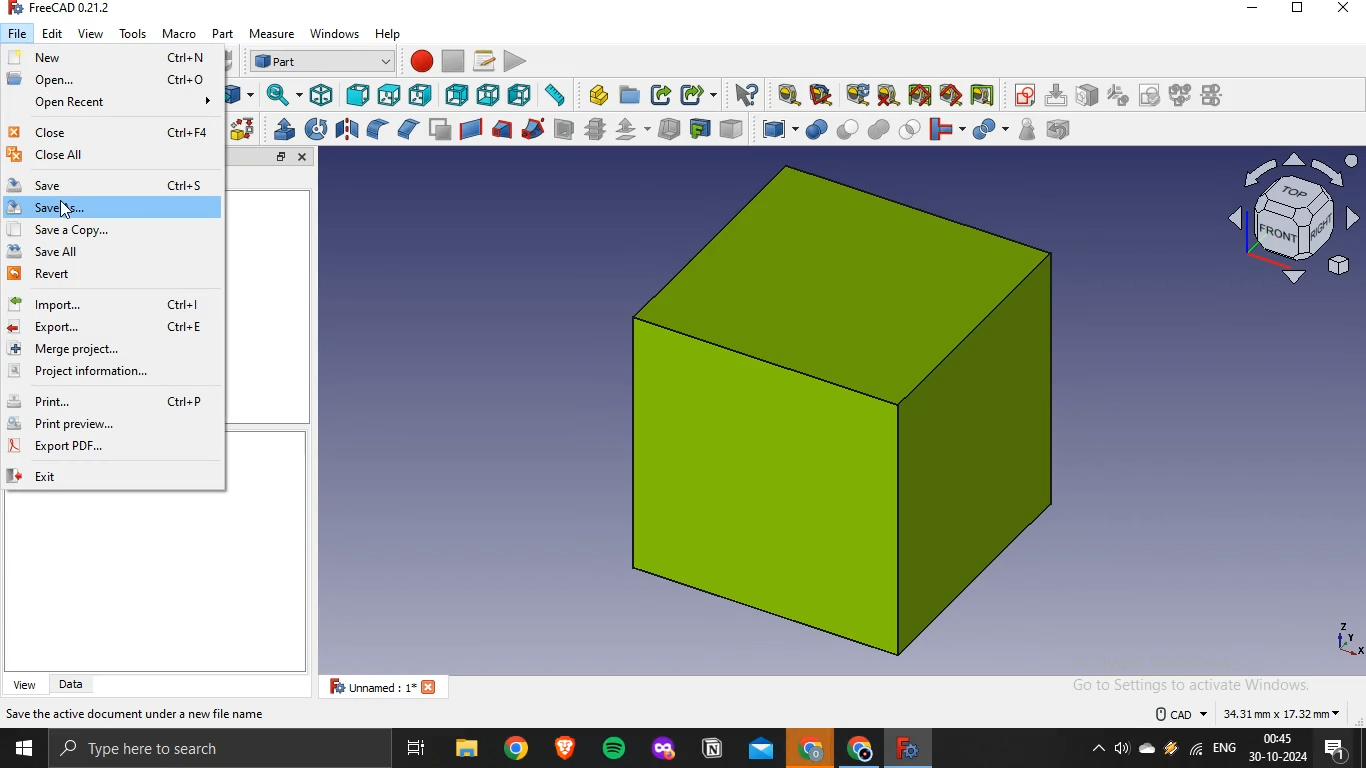 The width and height of the screenshot is (1366, 768). Describe the element at coordinates (857, 95) in the screenshot. I see `refresh` at that location.